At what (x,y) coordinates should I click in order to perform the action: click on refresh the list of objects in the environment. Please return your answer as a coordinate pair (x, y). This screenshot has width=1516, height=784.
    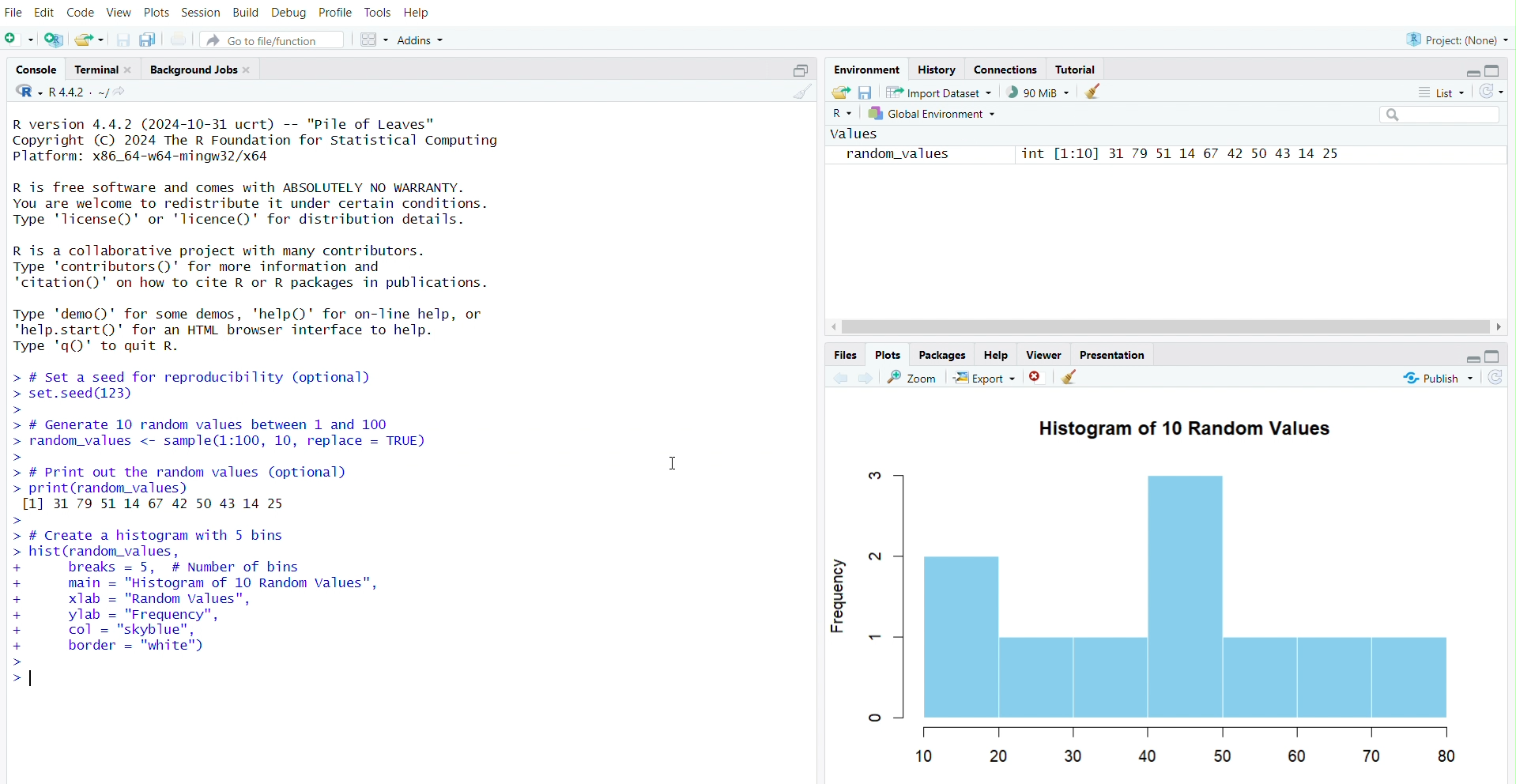
    Looking at the image, I should click on (1497, 92).